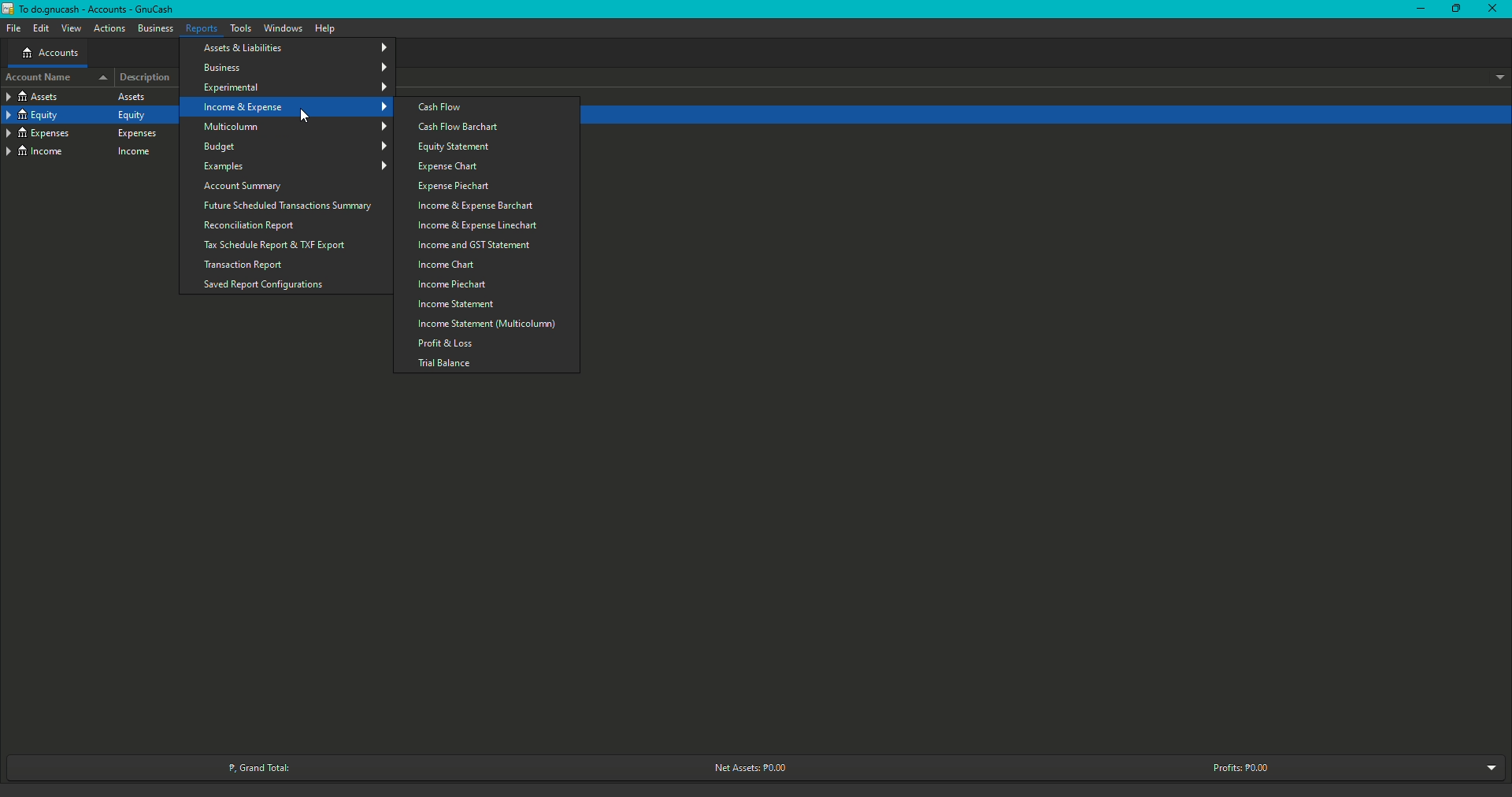 The height and width of the screenshot is (797, 1512). Describe the element at coordinates (14, 28) in the screenshot. I see `File` at that location.